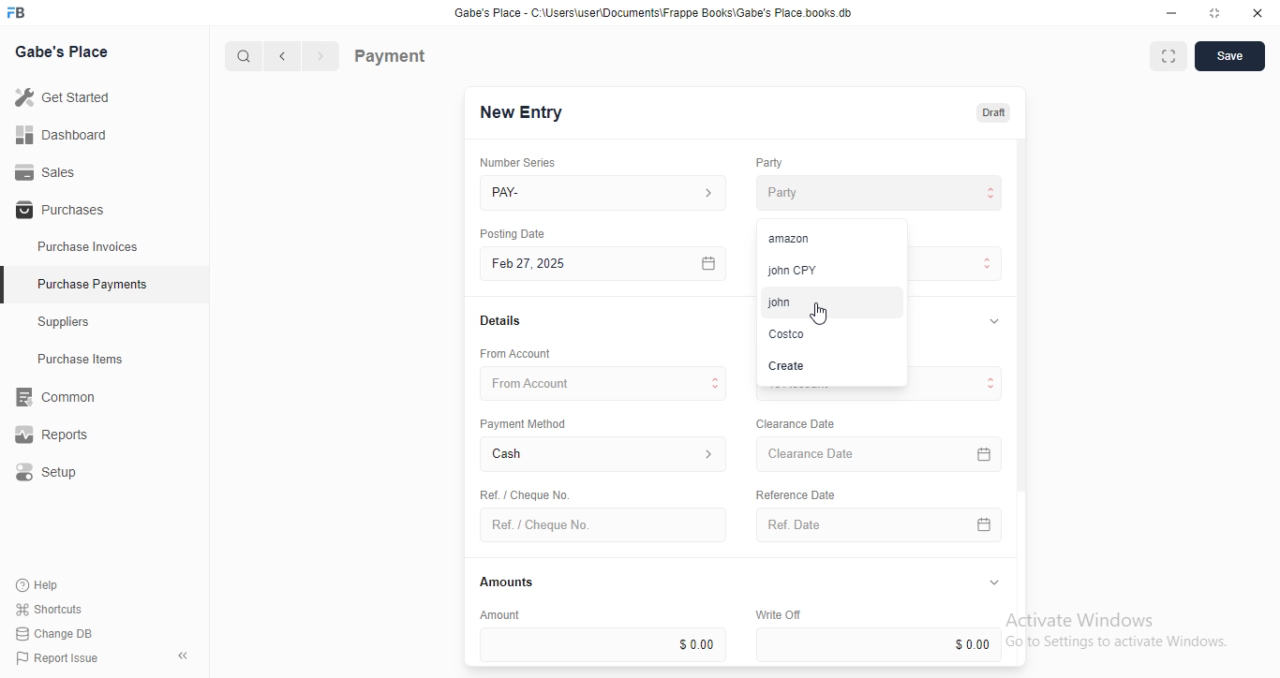 The height and width of the screenshot is (678, 1280). Describe the element at coordinates (70, 324) in the screenshot. I see `Suppliers` at that location.